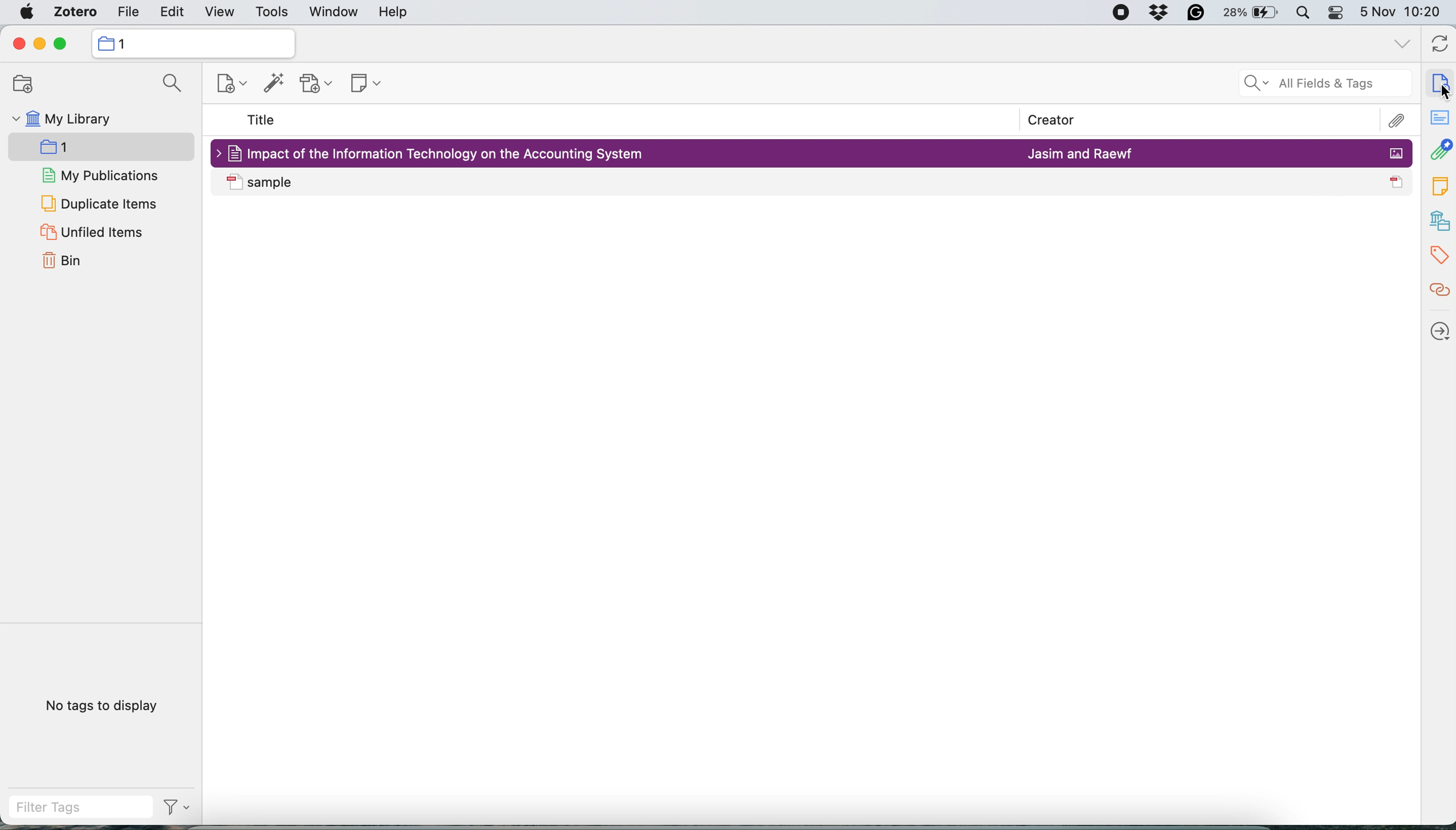 Image resolution: width=1456 pixels, height=830 pixels. Describe the element at coordinates (1196, 13) in the screenshot. I see `grammarly` at that location.